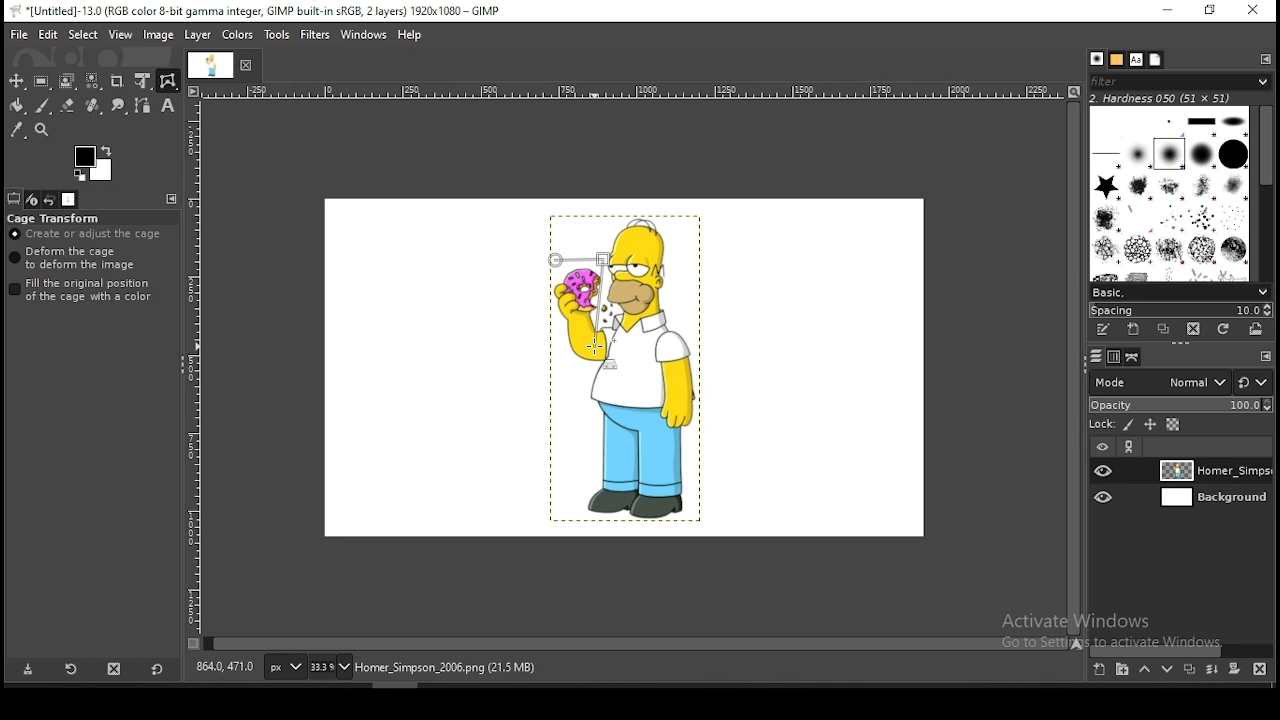 Image resolution: width=1280 pixels, height=720 pixels. What do you see at coordinates (1127, 426) in the screenshot?
I see `lock pixels` at bounding box center [1127, 426].